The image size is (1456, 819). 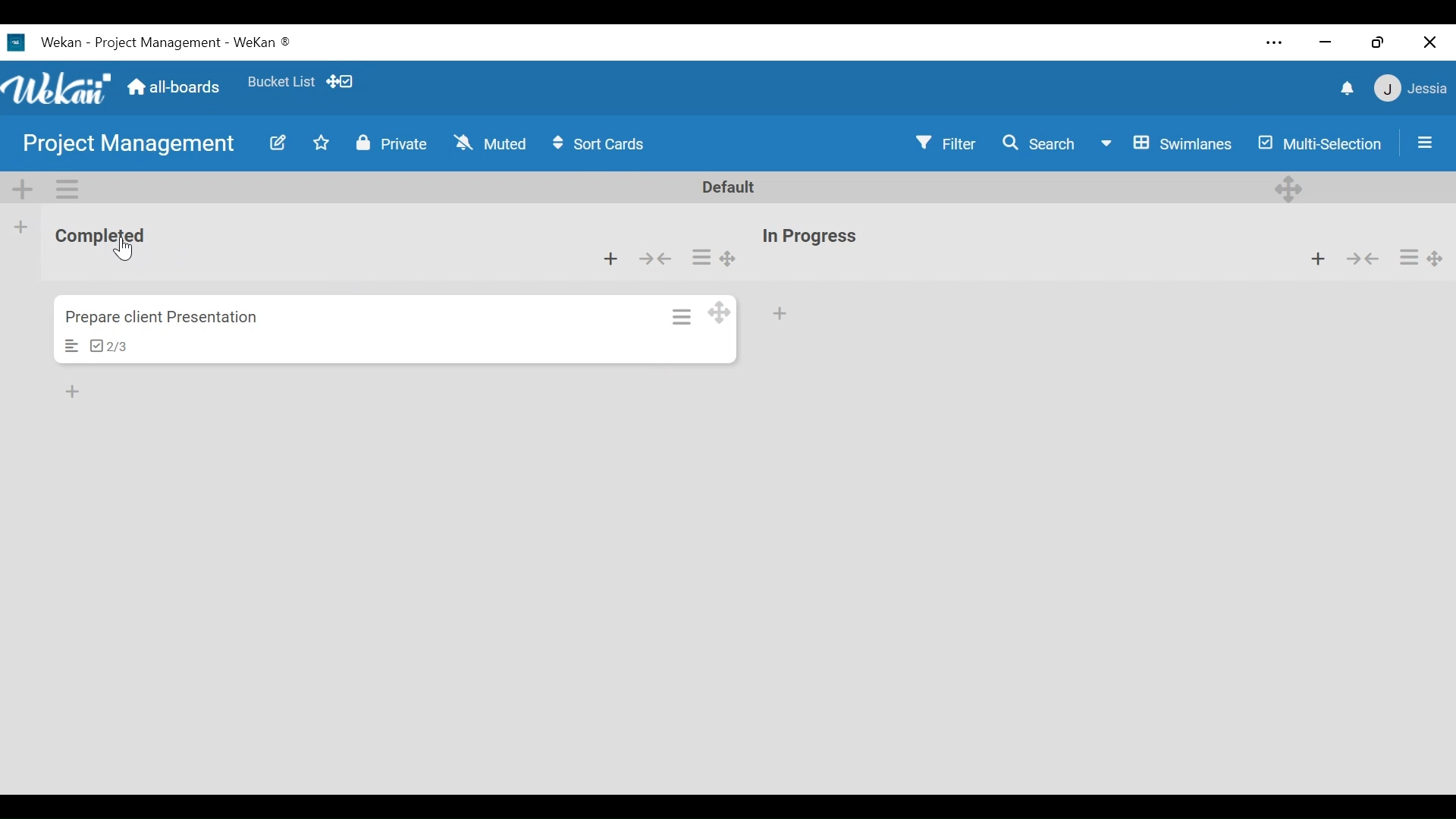 I want to click on Card Title, so click(x=166, y=317).